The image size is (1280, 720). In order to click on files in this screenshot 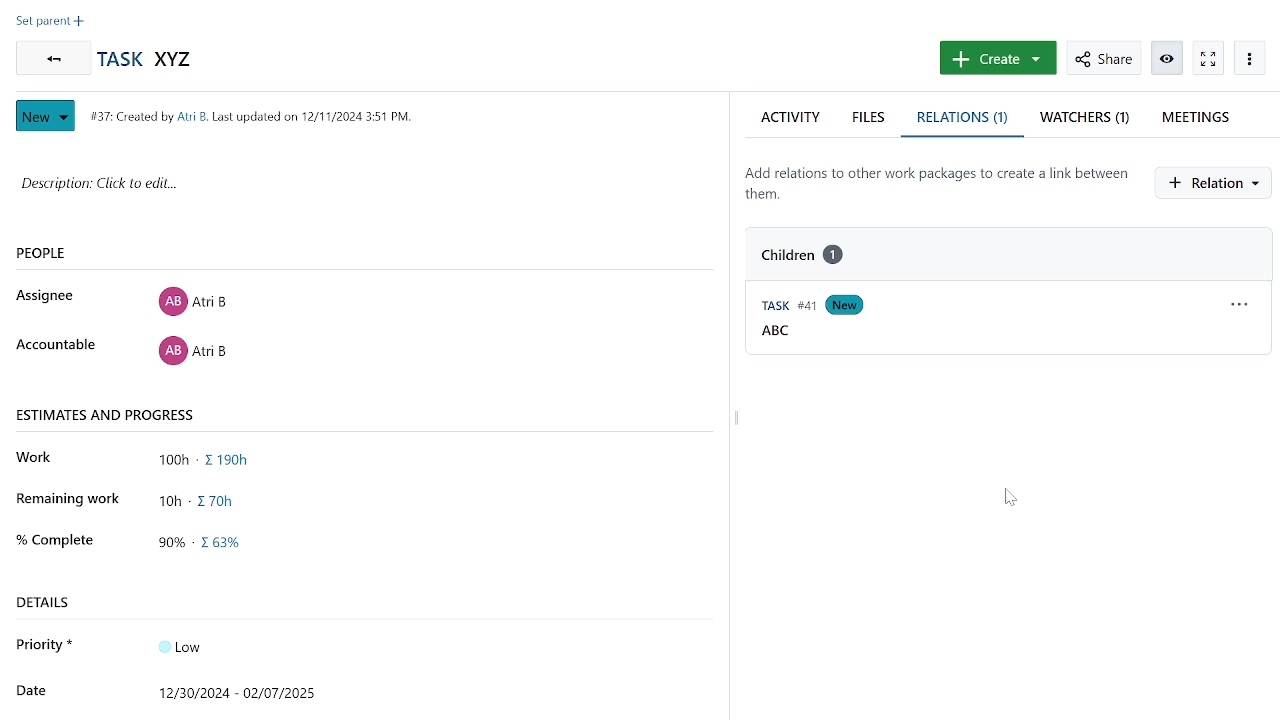, I will do `click(871, 117)`.